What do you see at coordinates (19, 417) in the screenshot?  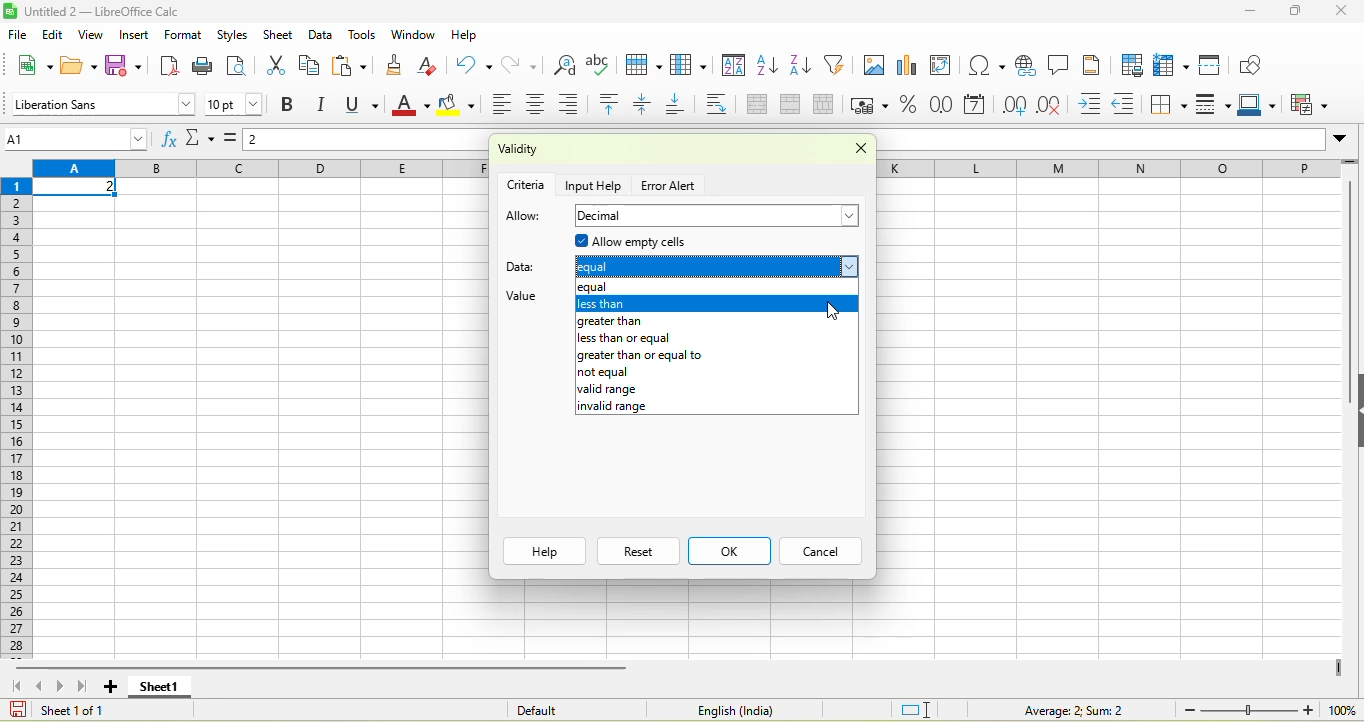 I see `rows` at bounding box center [19, 417].